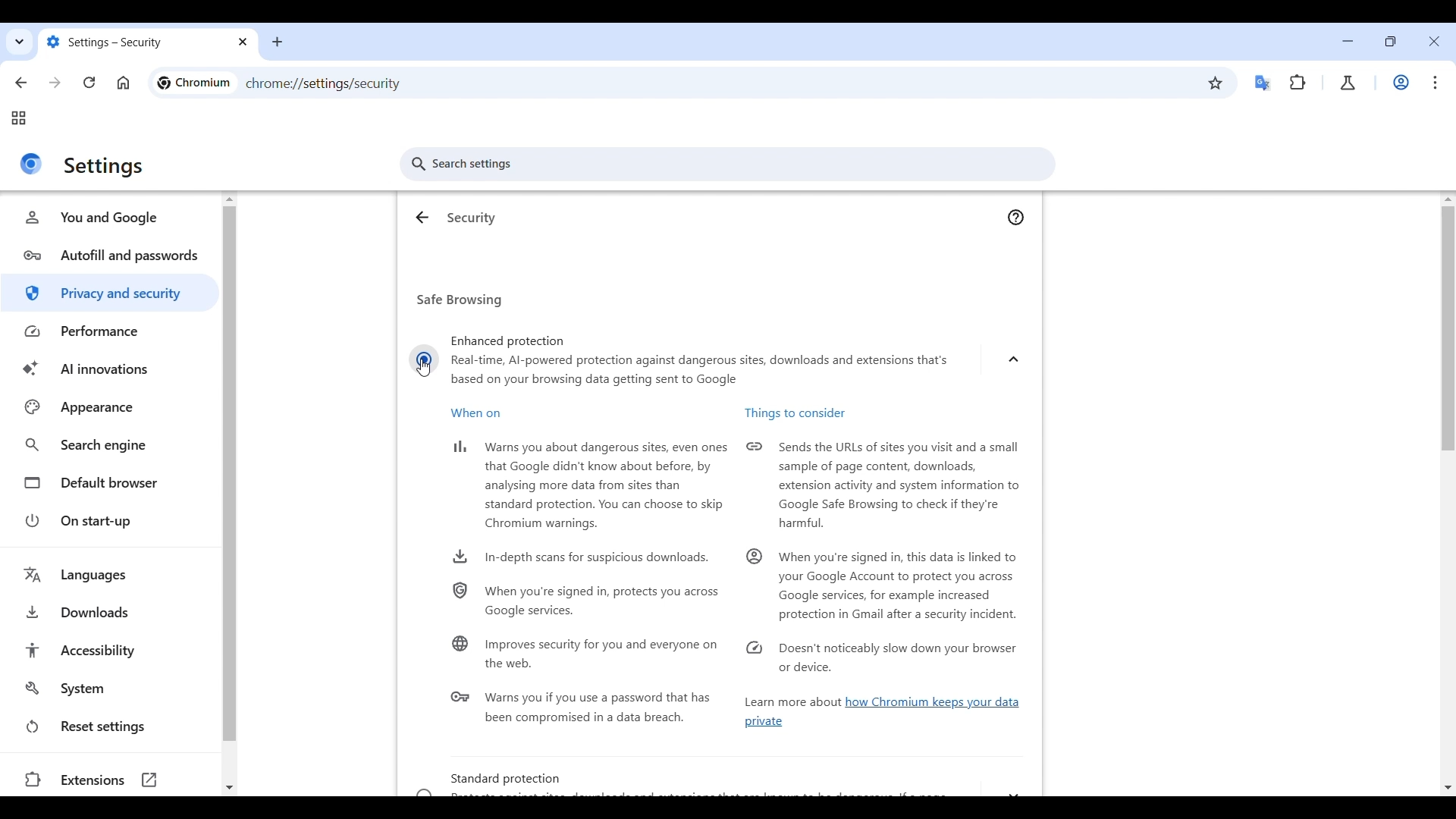 This screenshot has width=1456, height=819. What do you see at coordinates (1448, 369) in the screenshot?
I see `Vertical slide bar` at bounding box center [1448, 369].